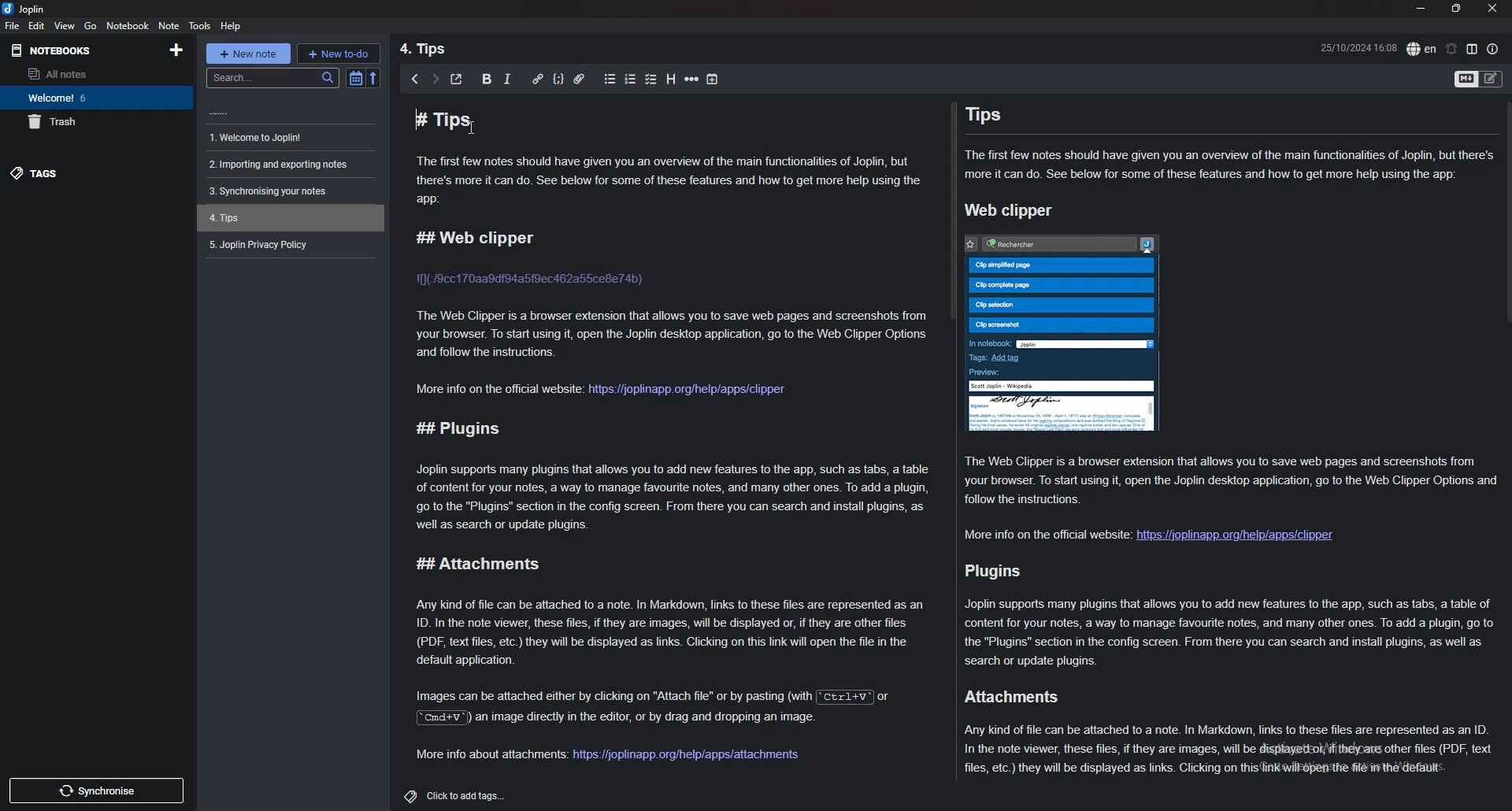  What do you see at coordinates (28, 9) in the screenshot?
I see `joplin` at bounding box center [28, 9].